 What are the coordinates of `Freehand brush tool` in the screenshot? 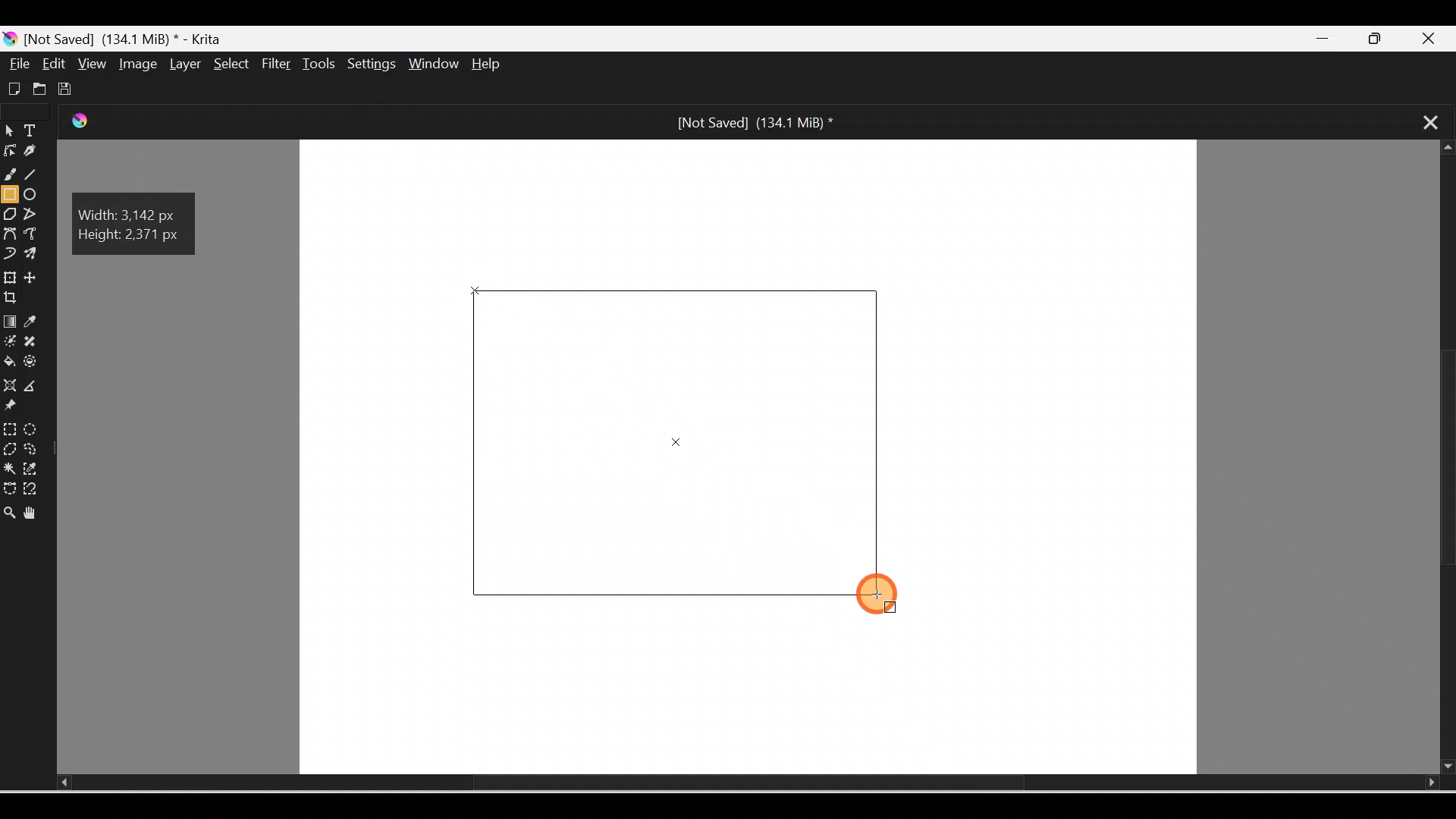 It's located at (12, 177).